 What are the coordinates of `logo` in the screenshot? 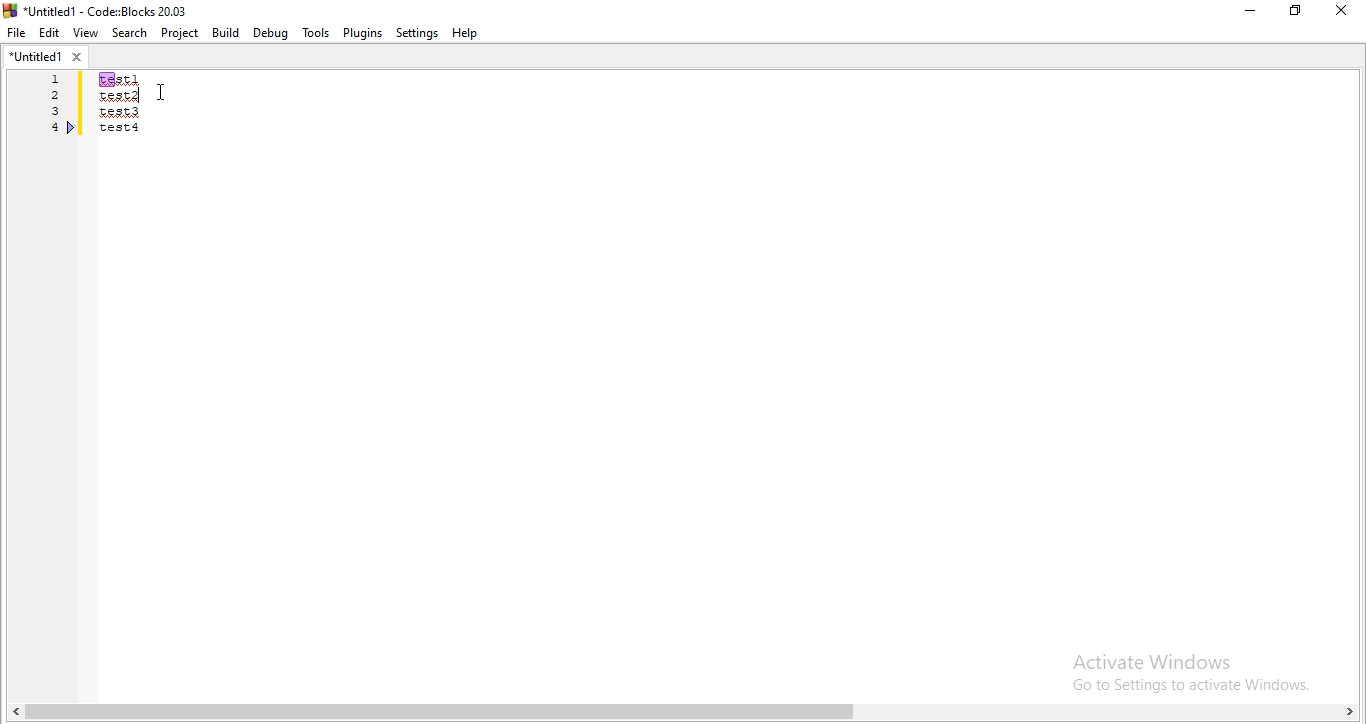 It's located at (98, 9).